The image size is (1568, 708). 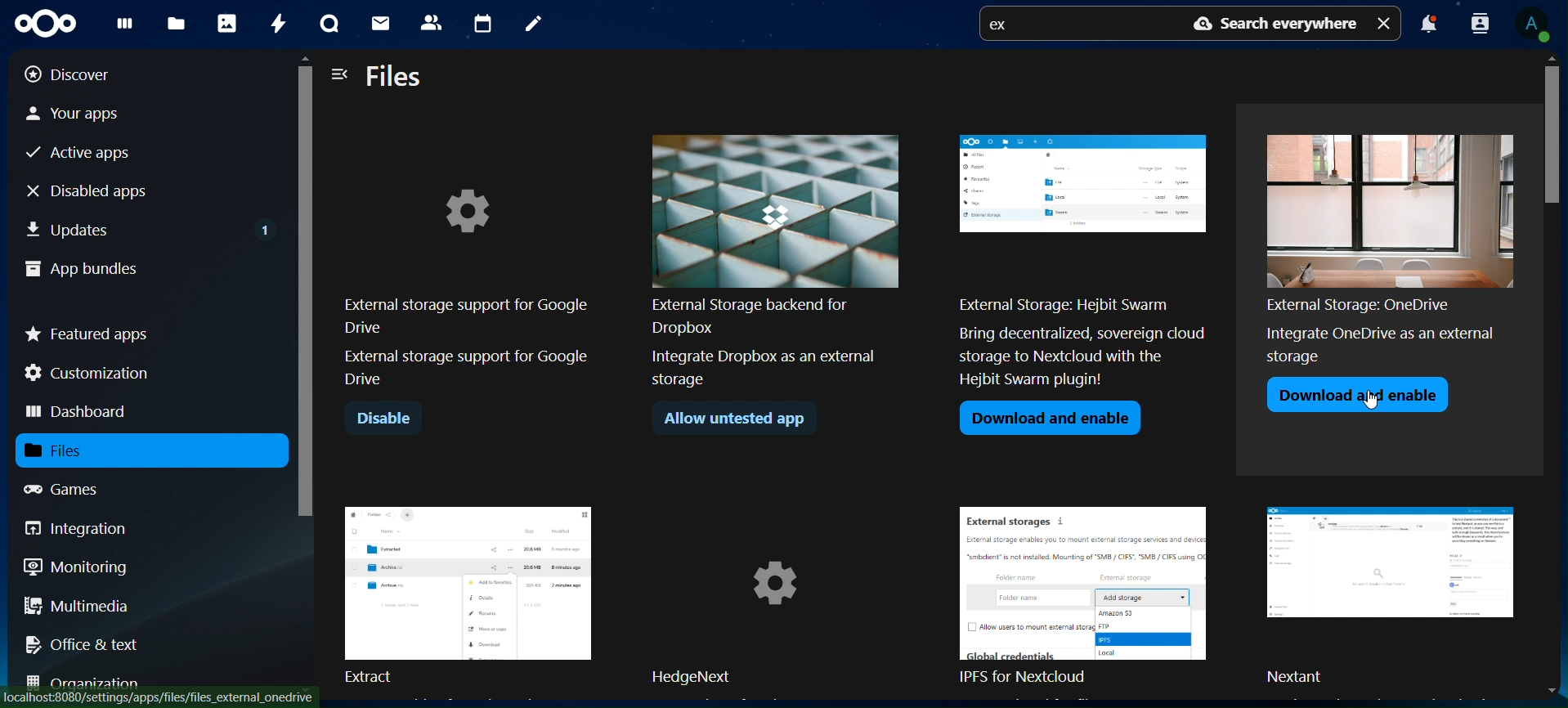 What do you see at coordinates (80, 74) in the screenshot?
I see `discover` at bounding box center [80, 74].